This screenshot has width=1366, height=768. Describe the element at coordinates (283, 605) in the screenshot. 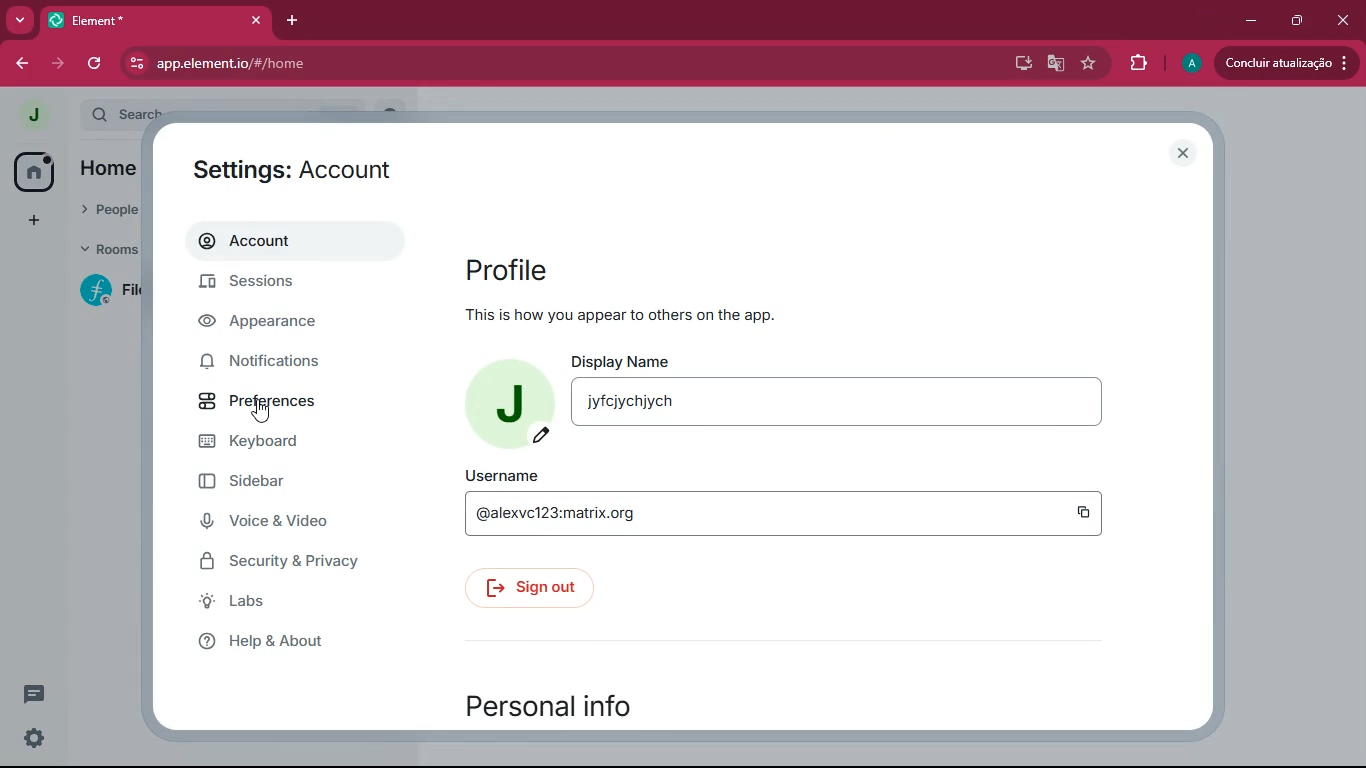

I see `labs` at that location.